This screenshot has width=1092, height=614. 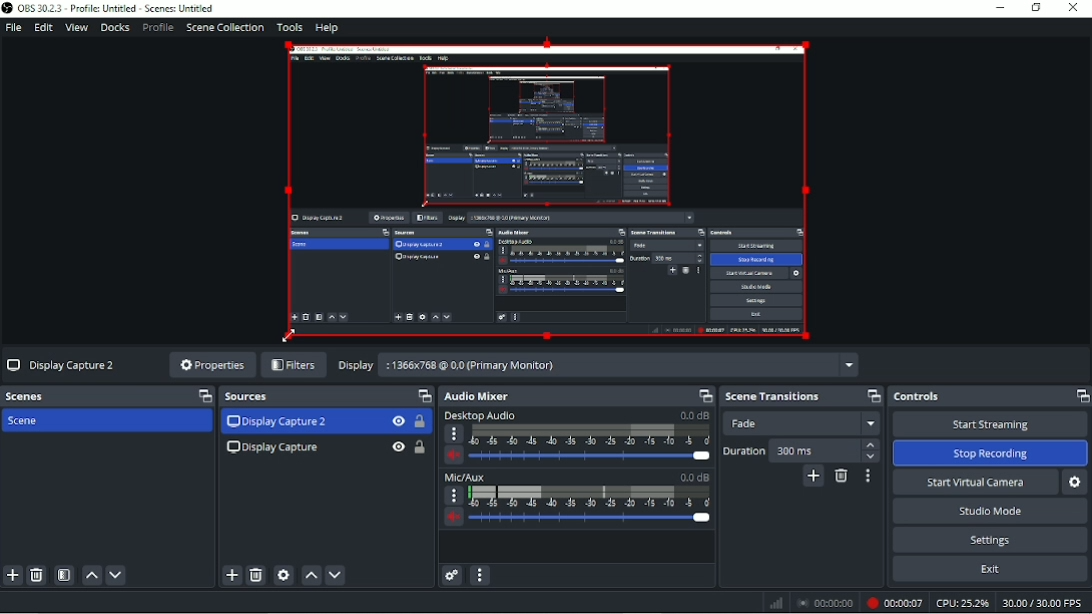 What do you see at coordinates (805, 423) in the screenshot?
I see `Fade` at bounding box center [805, 423].